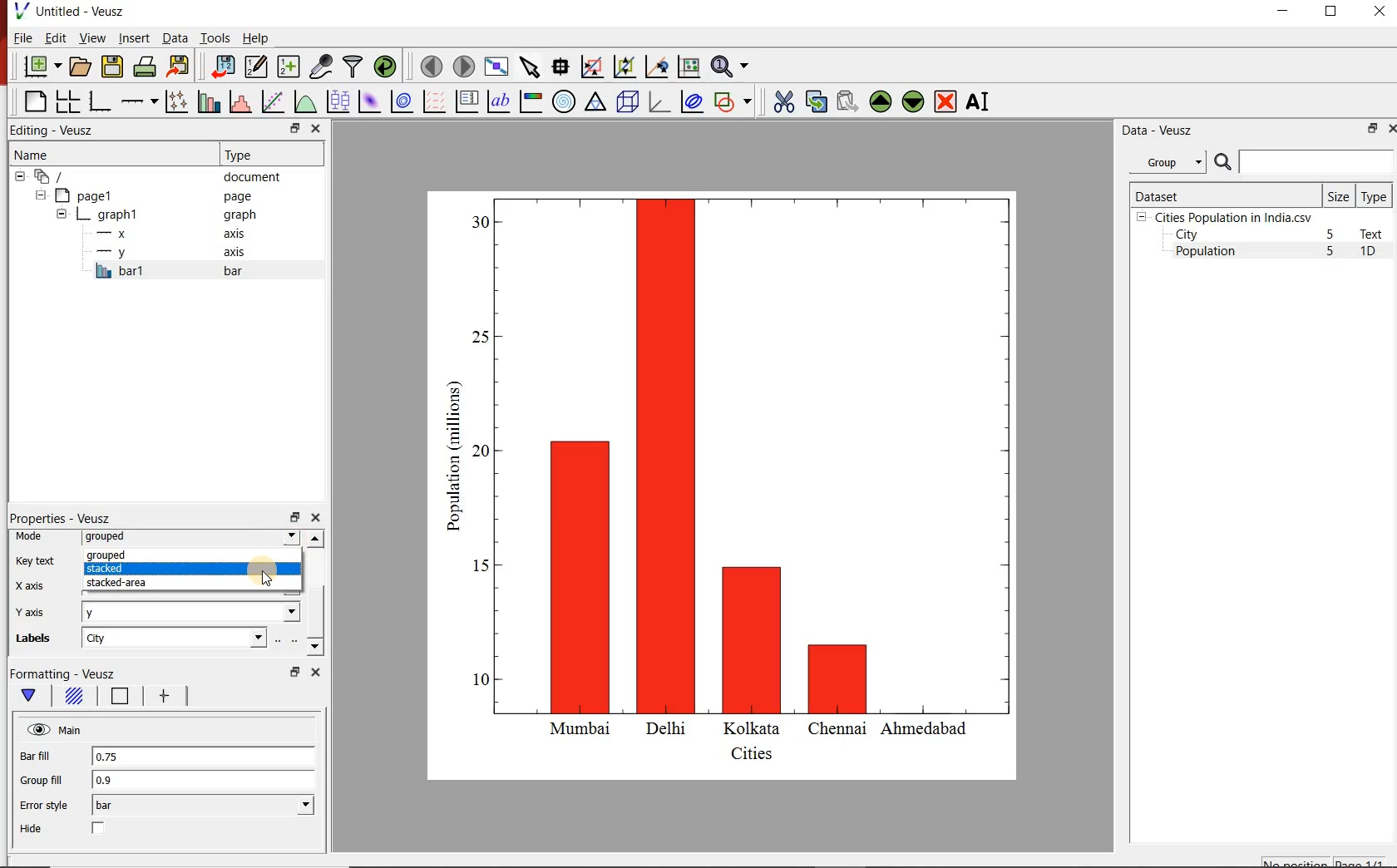  I want to click on Formatting - Veusz, so click(73, 674).